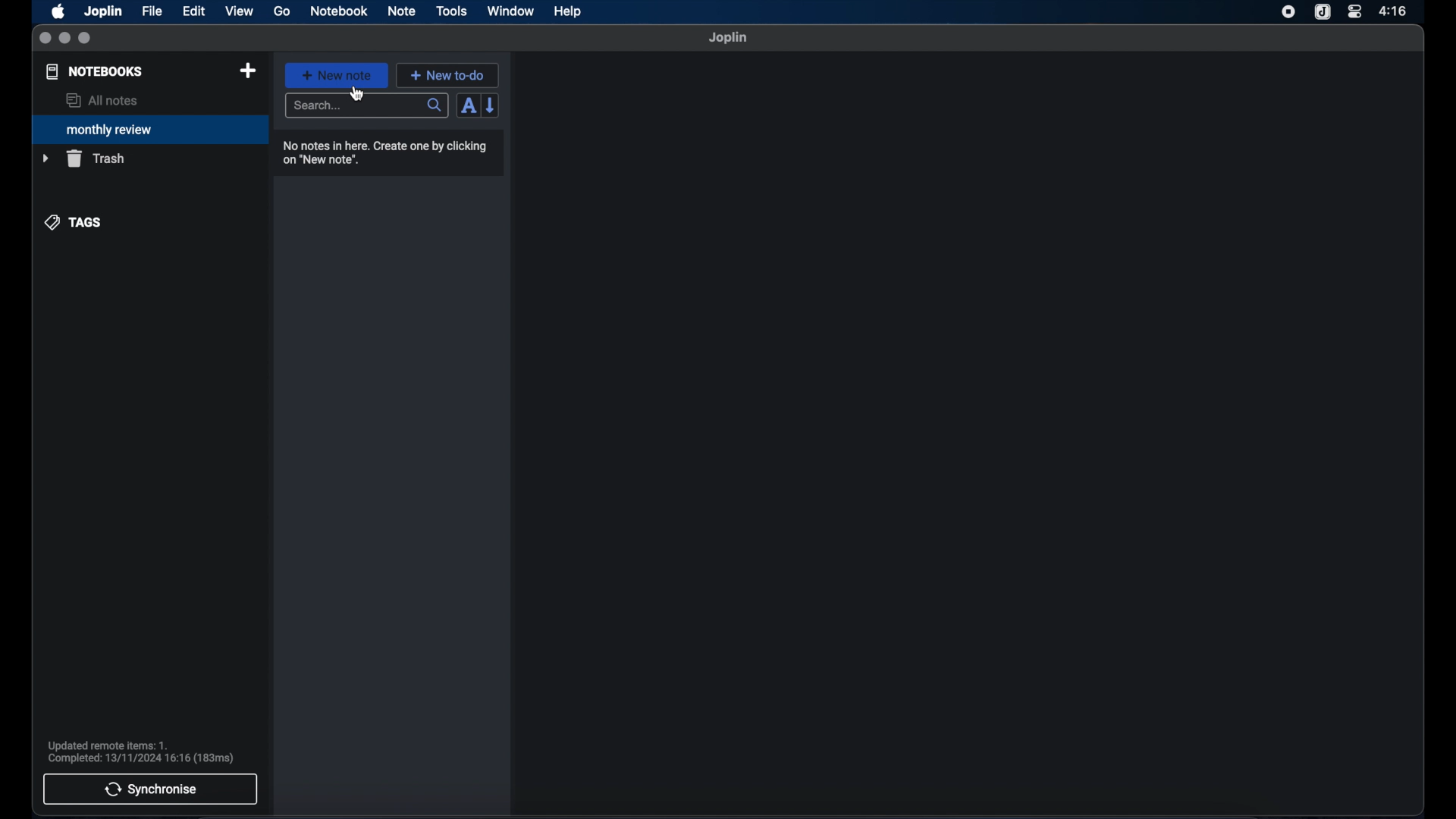 The width and height of the screenshot is (1456, 819). Describe the element at coordinates (451, 11) in the screenshot. I see `tools` at that location.